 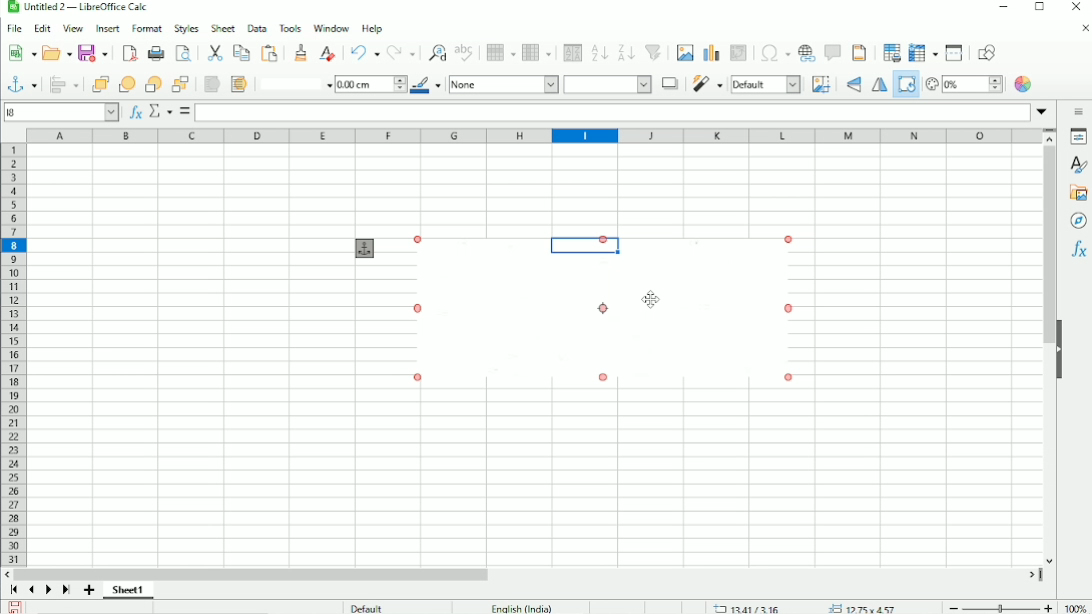 I want to click on Sort descending, so click(x=626, y=52).